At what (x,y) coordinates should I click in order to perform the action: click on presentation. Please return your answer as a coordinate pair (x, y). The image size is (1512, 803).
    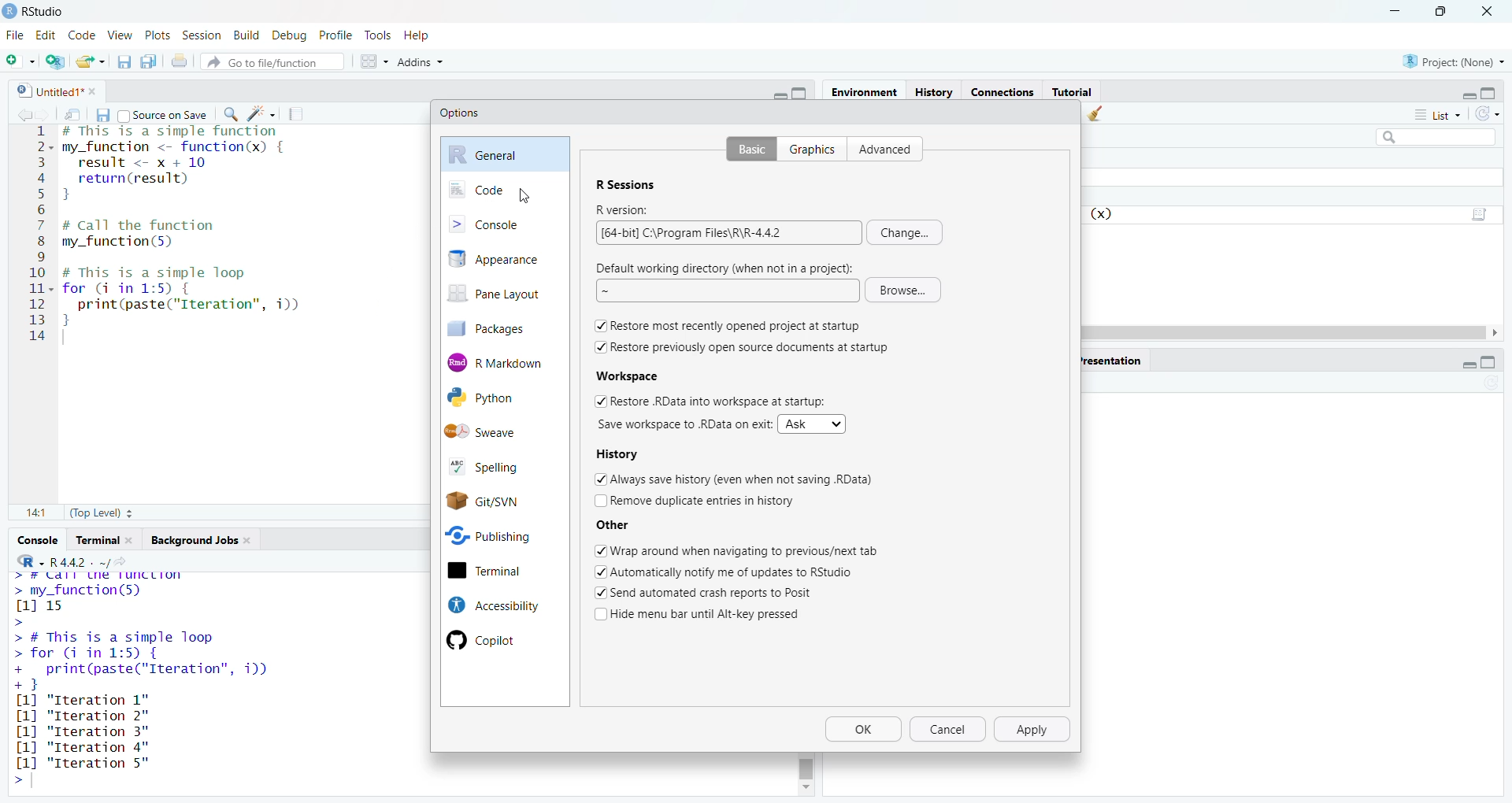
    Looking at the image, I should click on (1114, 359).